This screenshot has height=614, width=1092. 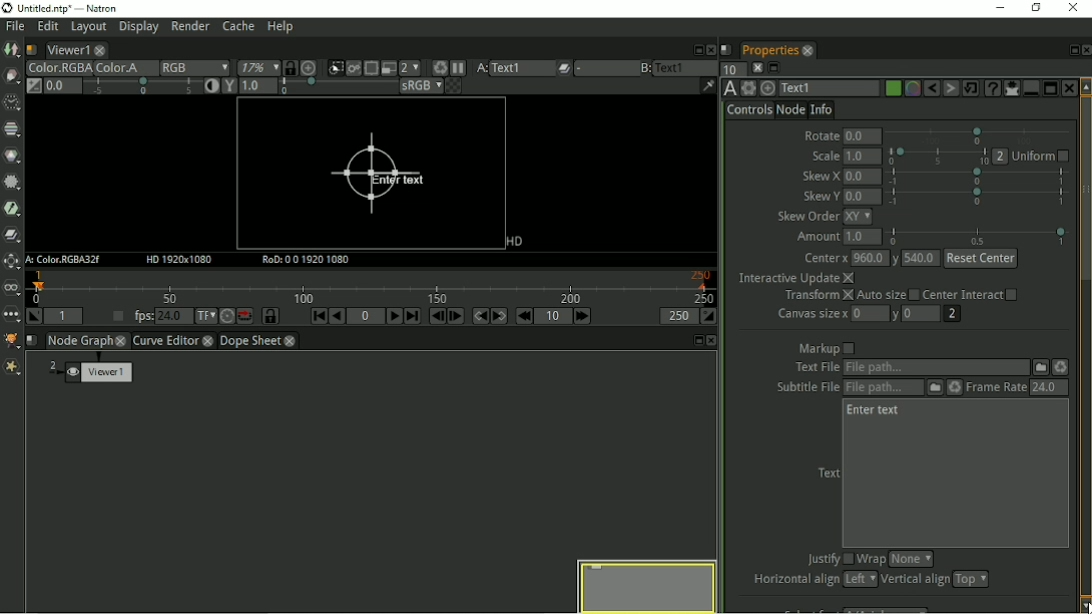 What do you see at coordinates (522, 68) in the screenshot?
I see `text1` at bounding box center [522, 68].